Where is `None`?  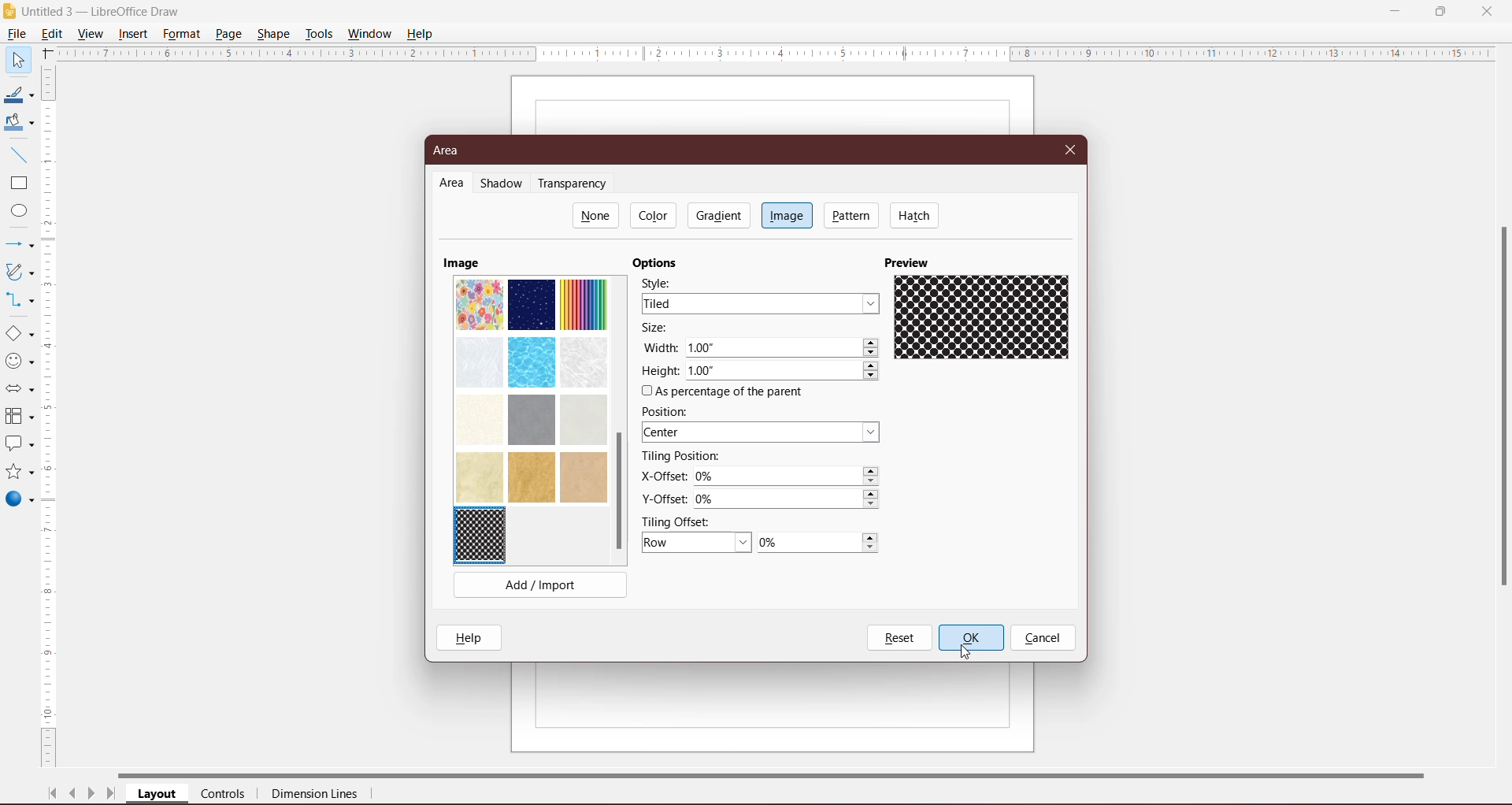 None is located at coordinates (596, 215).